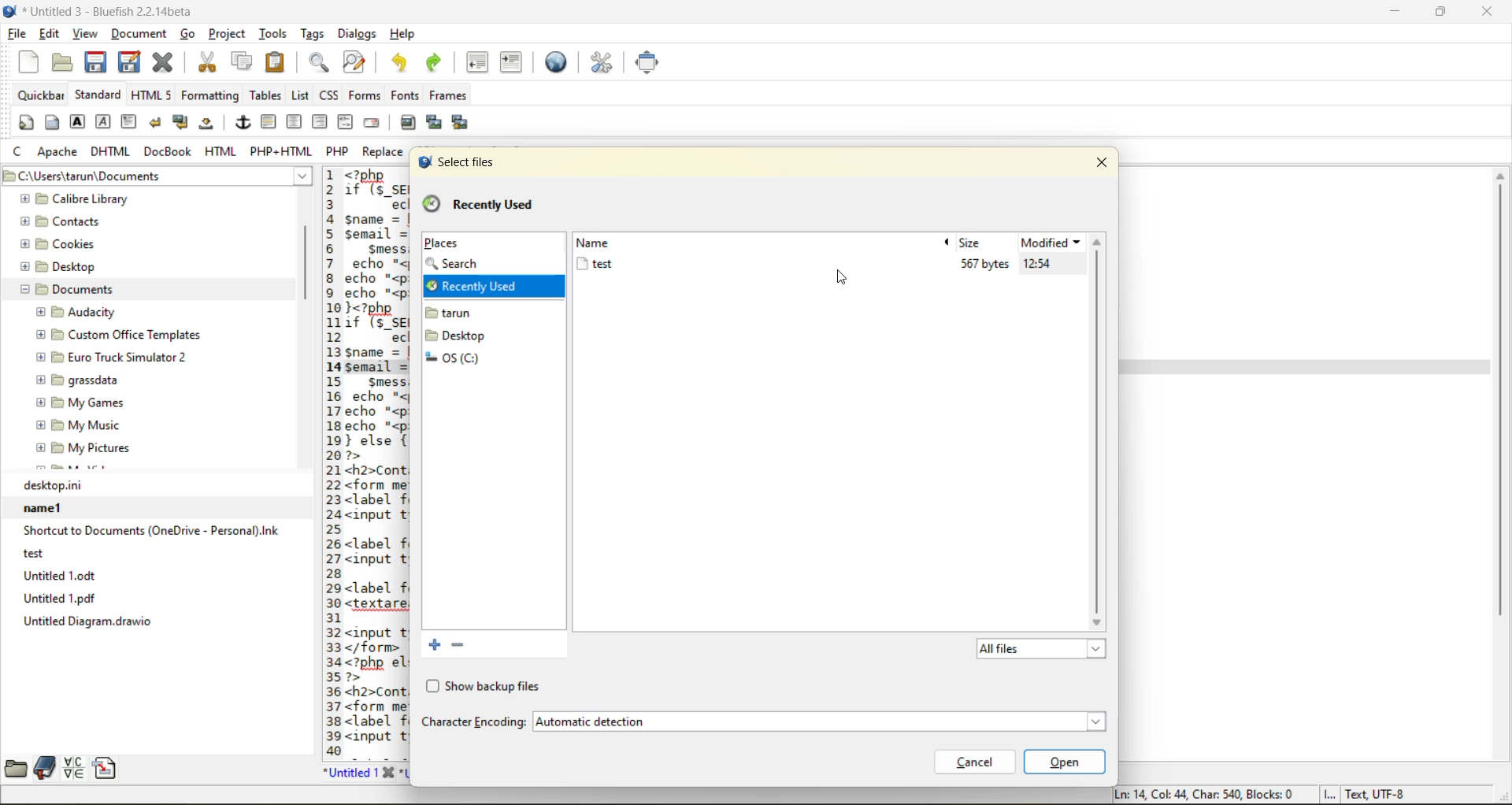  I want to click on line number, so click(328, 462).